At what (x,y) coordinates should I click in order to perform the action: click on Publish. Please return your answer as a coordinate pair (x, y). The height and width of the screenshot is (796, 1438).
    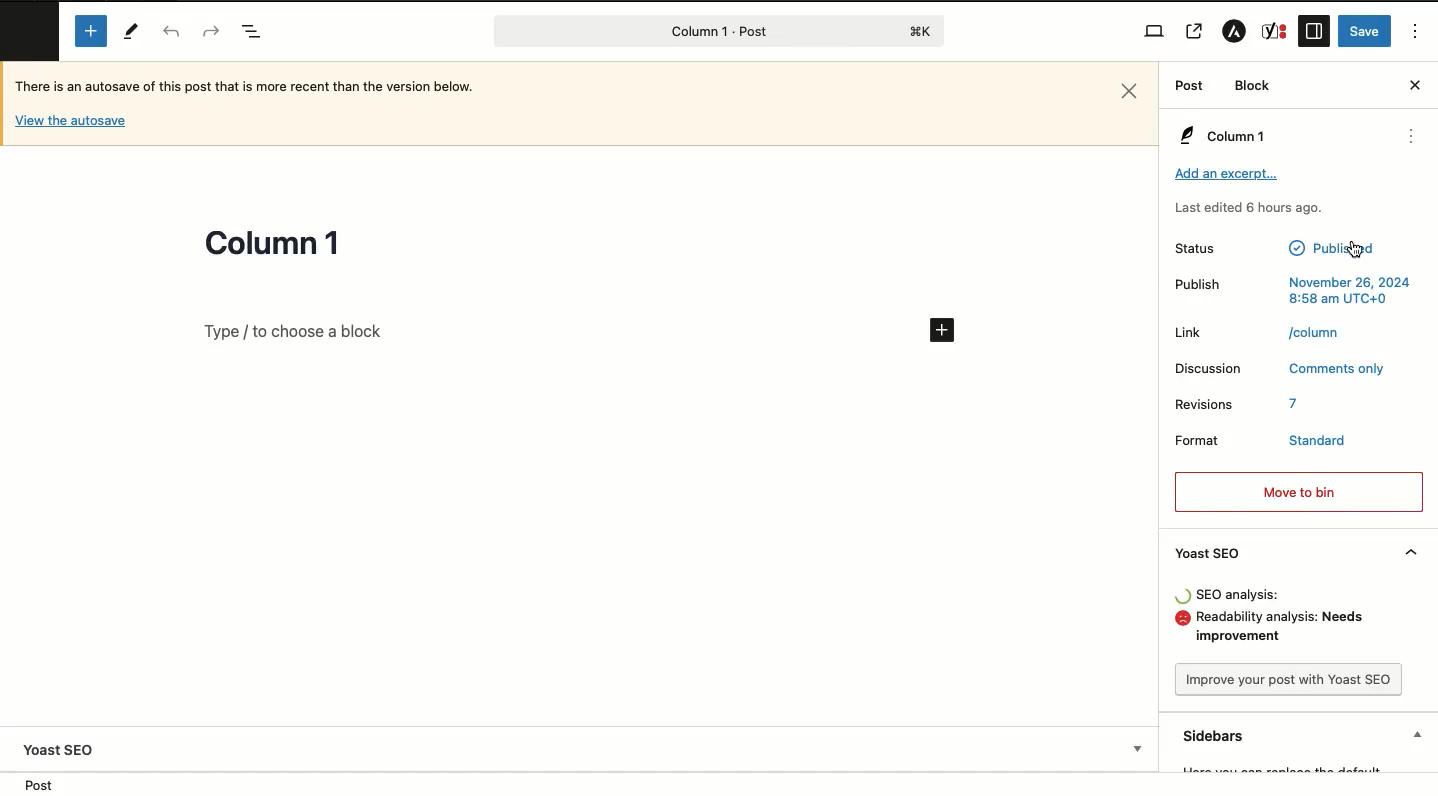
    Looking at the image, I should click on (1196, 285).